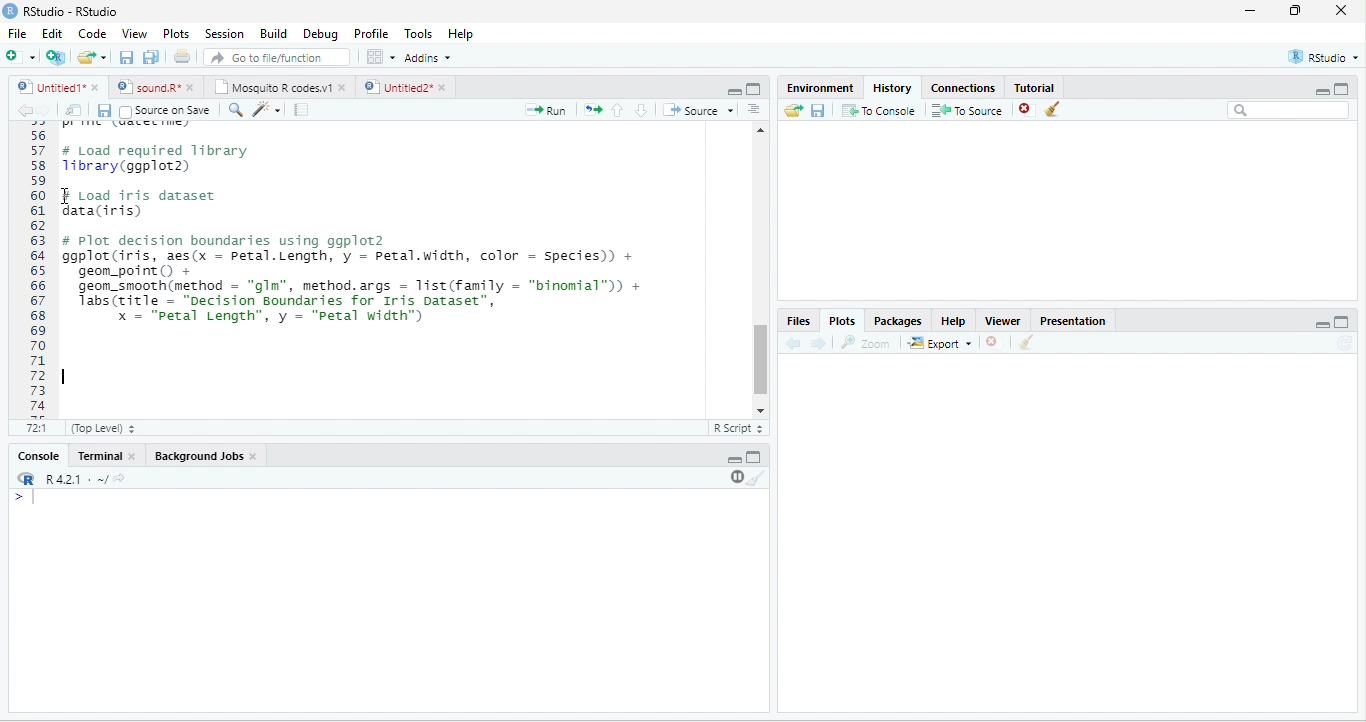  What do you see at coordinates (1344, 343) in the screenshot?
I see `refresh` at bounding box center [1344, 343].